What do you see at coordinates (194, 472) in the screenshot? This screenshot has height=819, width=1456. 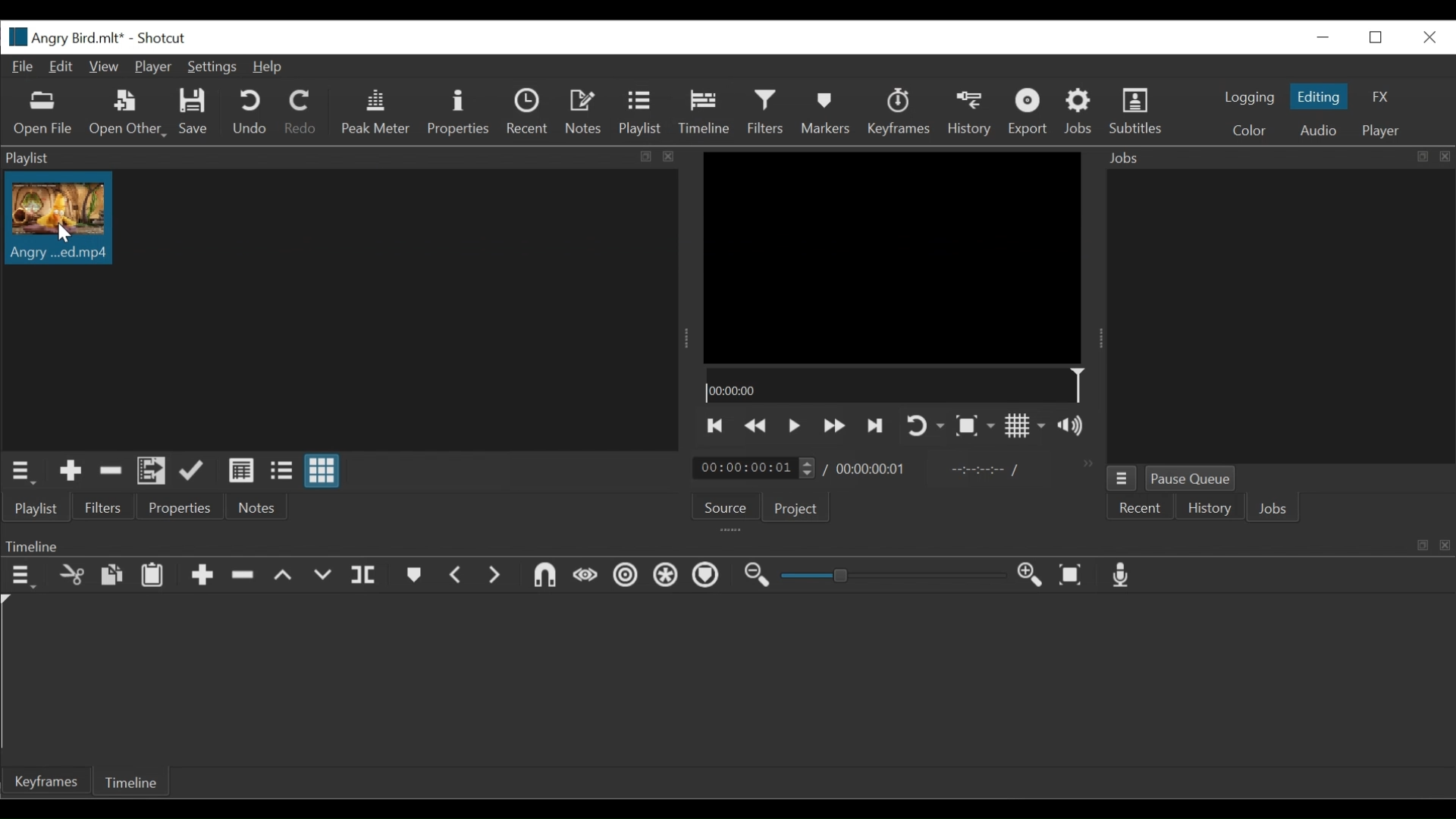 I see `Update` at bounding box center [194, 472].